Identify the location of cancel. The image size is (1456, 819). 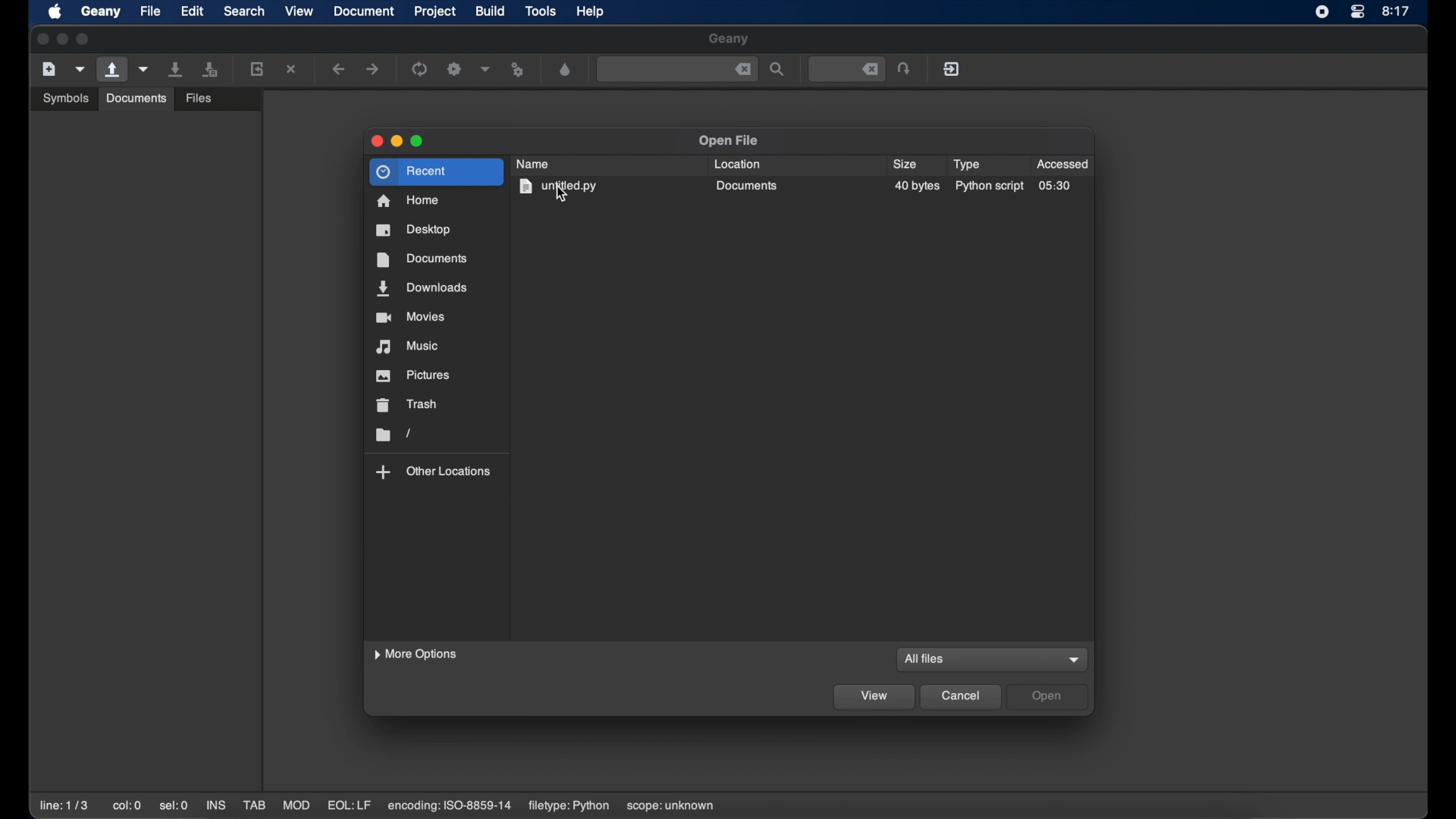
(962, 697).